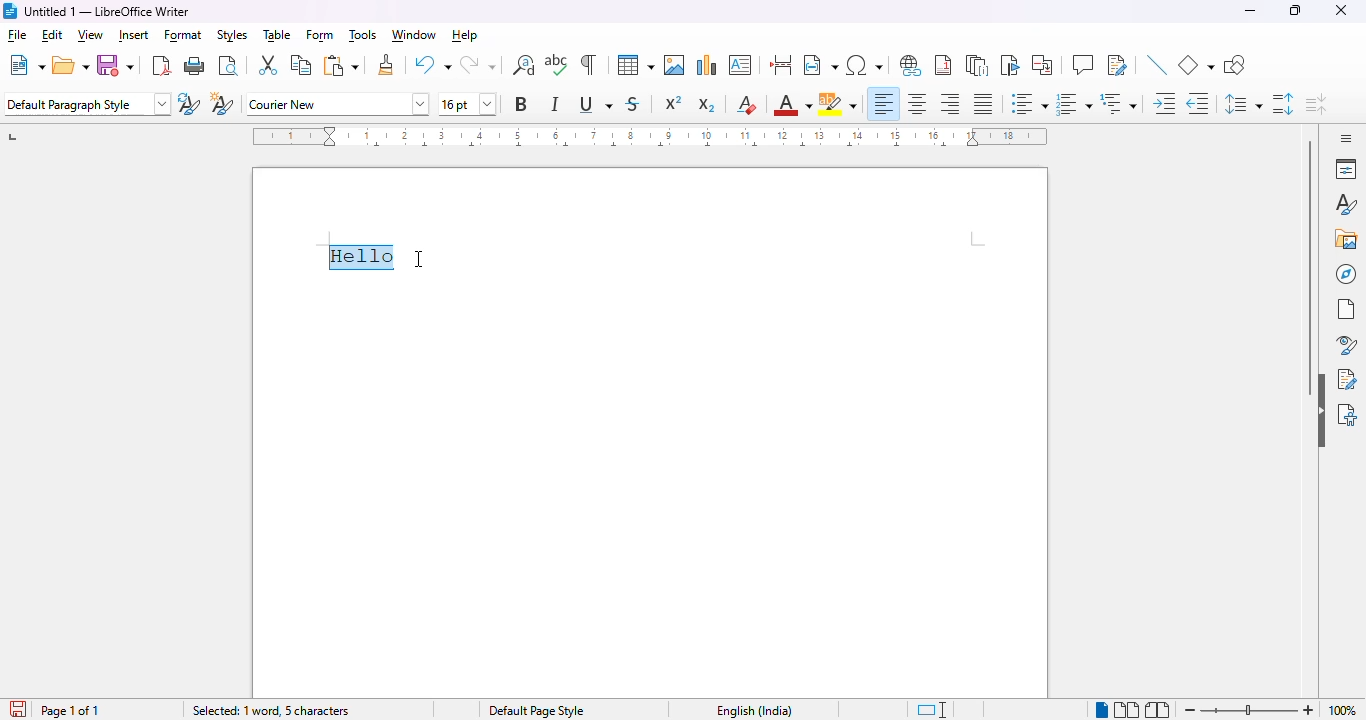 Image resolution: width=1366 pixels, height=720 pixels. I want to click on show track changes functions, so click(1118, 65).